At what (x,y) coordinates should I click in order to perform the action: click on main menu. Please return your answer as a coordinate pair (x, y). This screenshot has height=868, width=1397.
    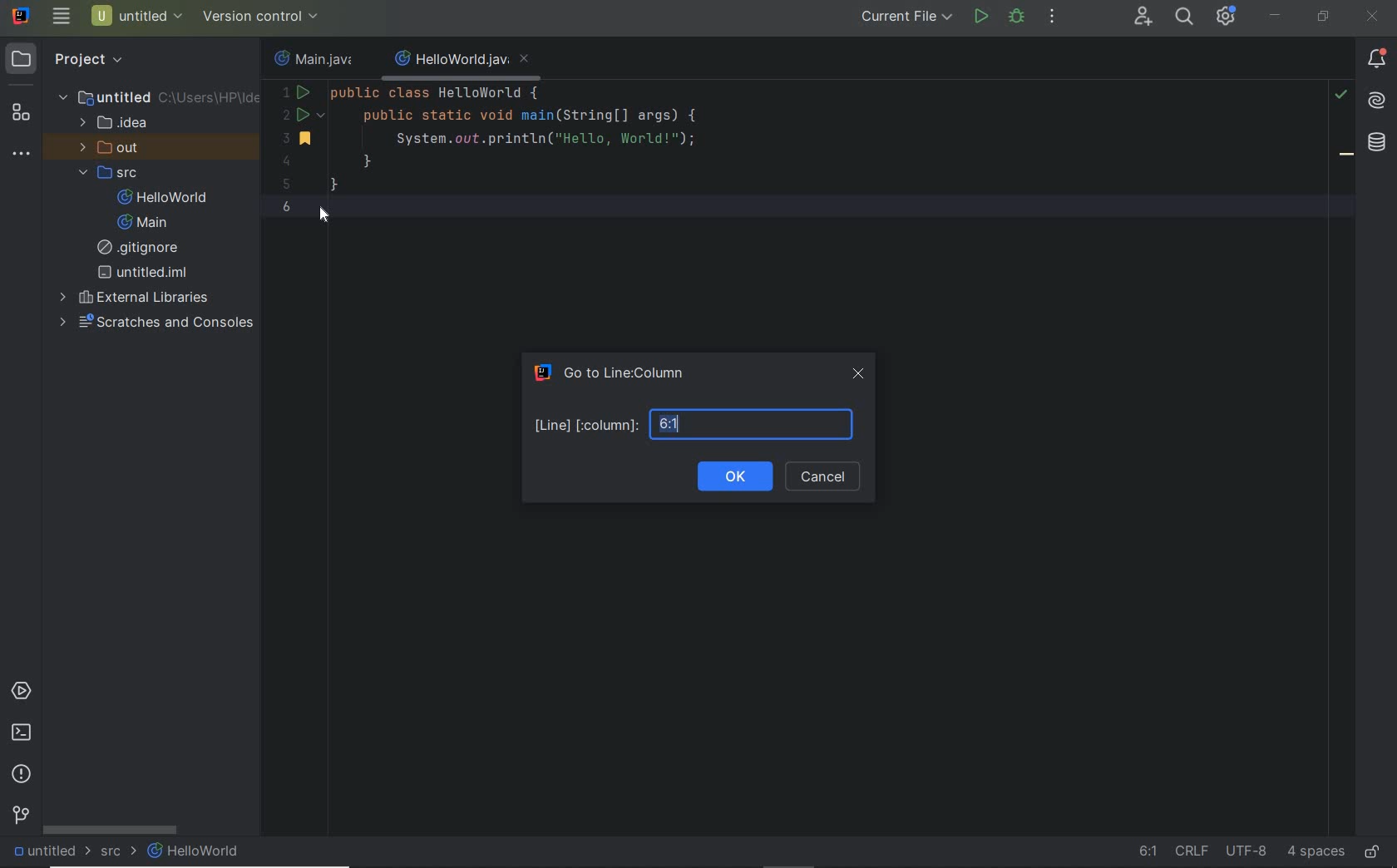
    Looking at the image, I should click on (62, 16).